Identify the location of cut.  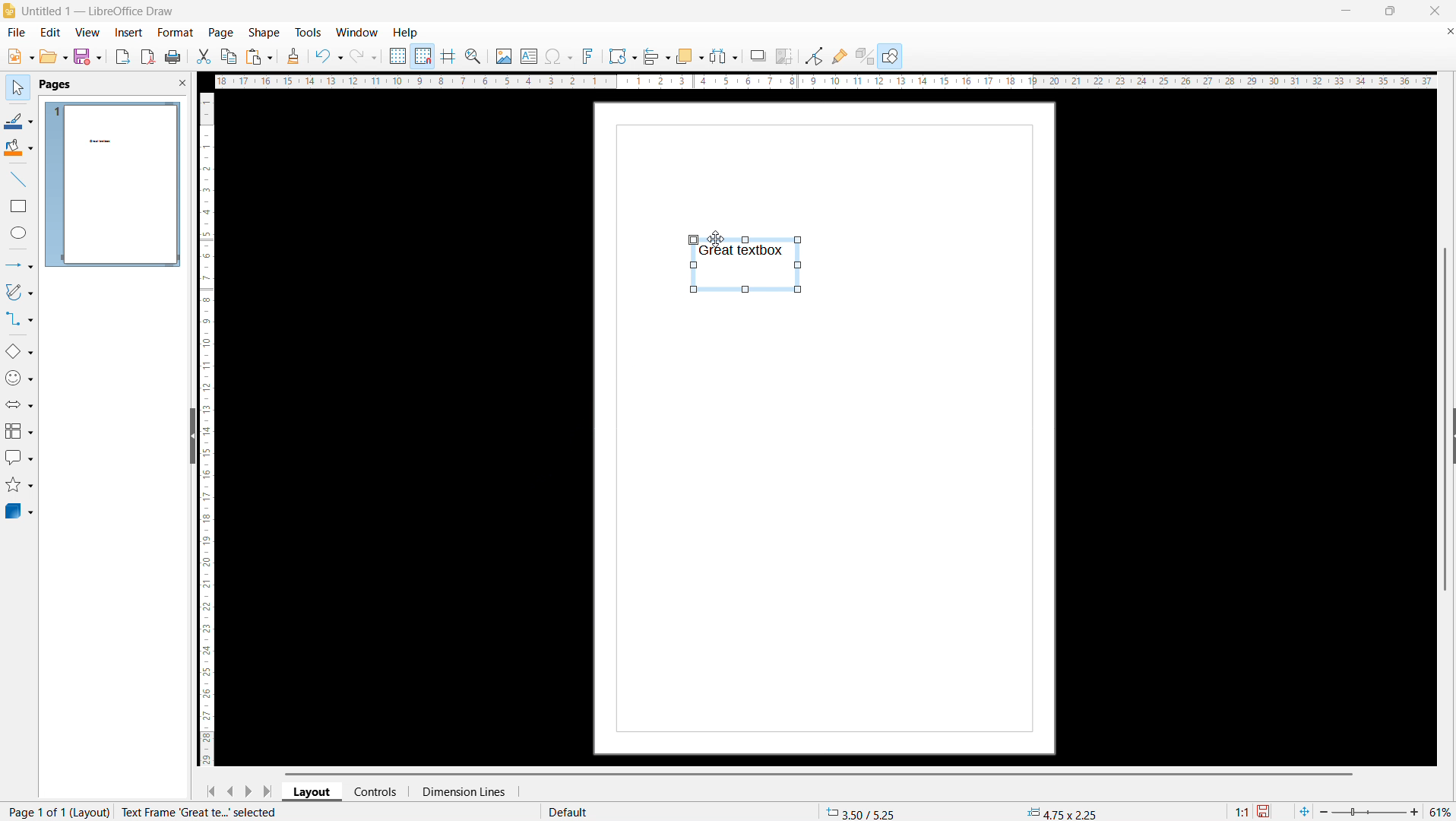
(203, 56).